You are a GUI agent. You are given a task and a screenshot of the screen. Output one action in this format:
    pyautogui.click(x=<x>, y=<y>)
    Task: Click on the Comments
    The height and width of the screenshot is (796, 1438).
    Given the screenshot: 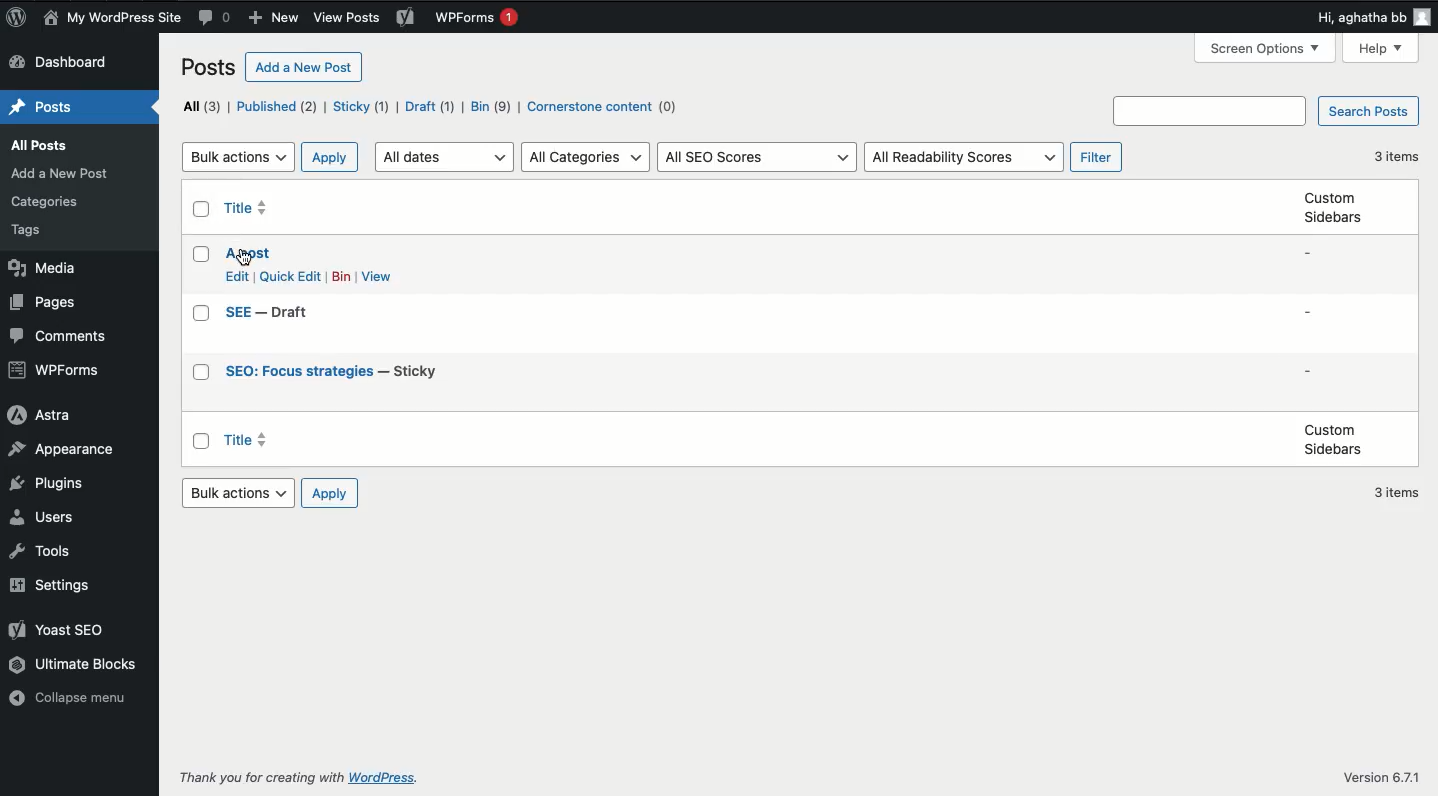 What is the action you would take?
    pyautogui.click(x=56, y=334)
    